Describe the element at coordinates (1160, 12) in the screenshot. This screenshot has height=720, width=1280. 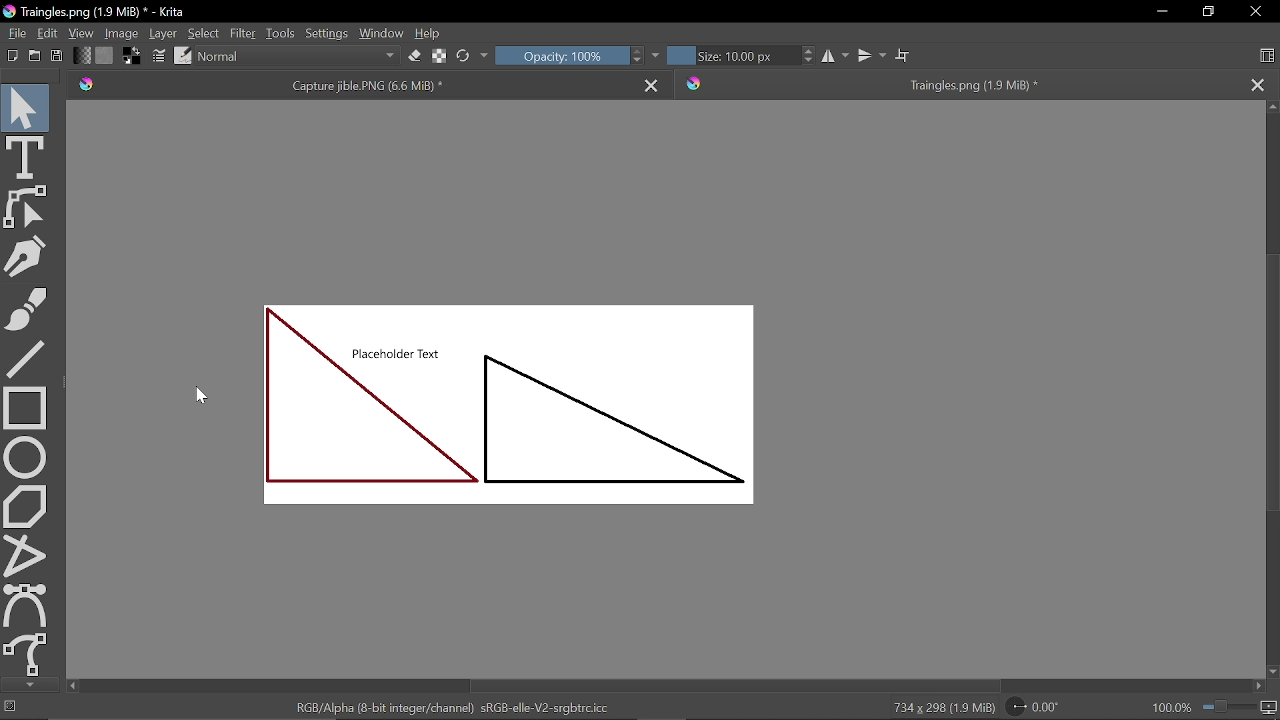
I see `Minimize` at that location.